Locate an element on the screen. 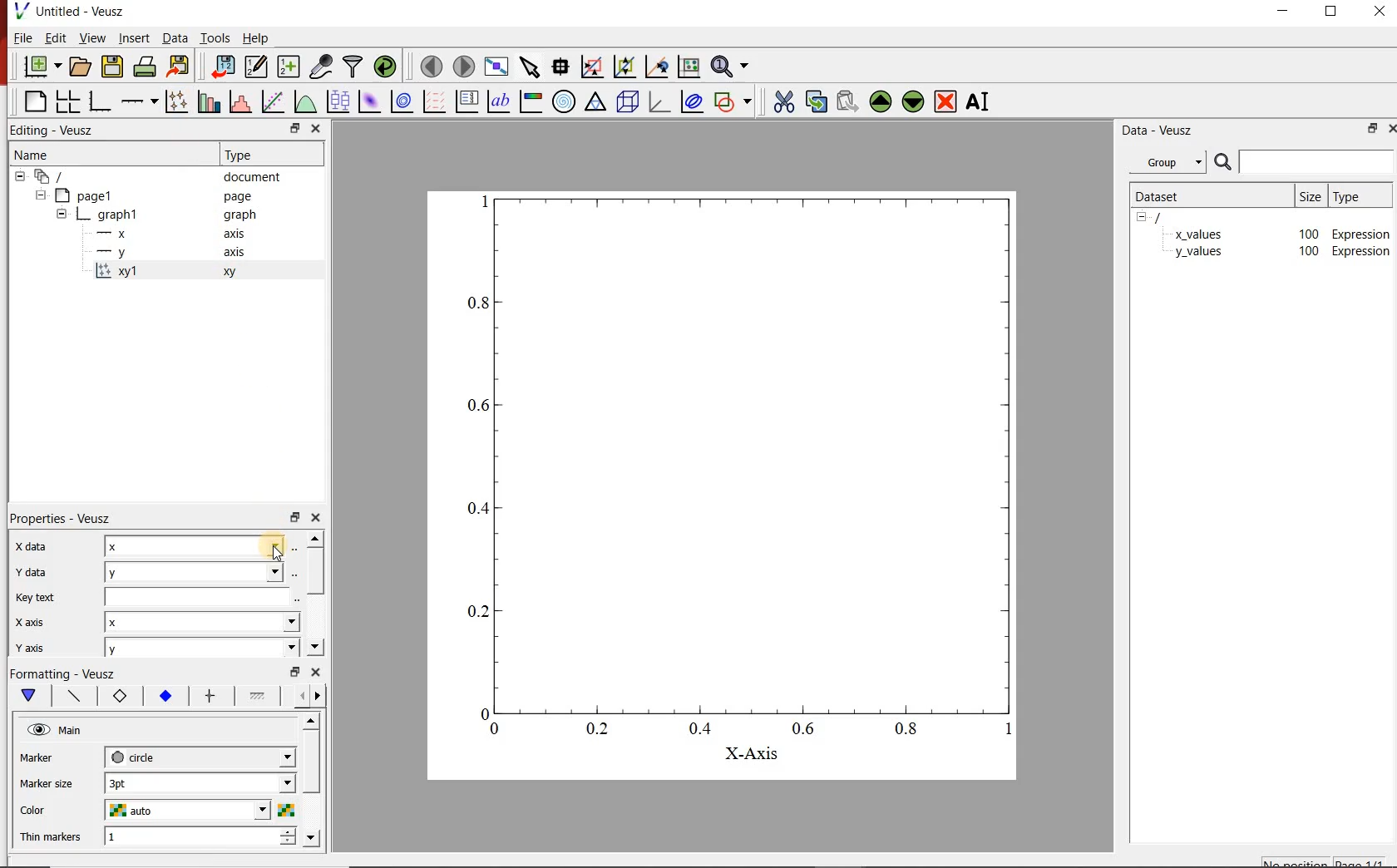  filter data is located at coordinates (353, 67).